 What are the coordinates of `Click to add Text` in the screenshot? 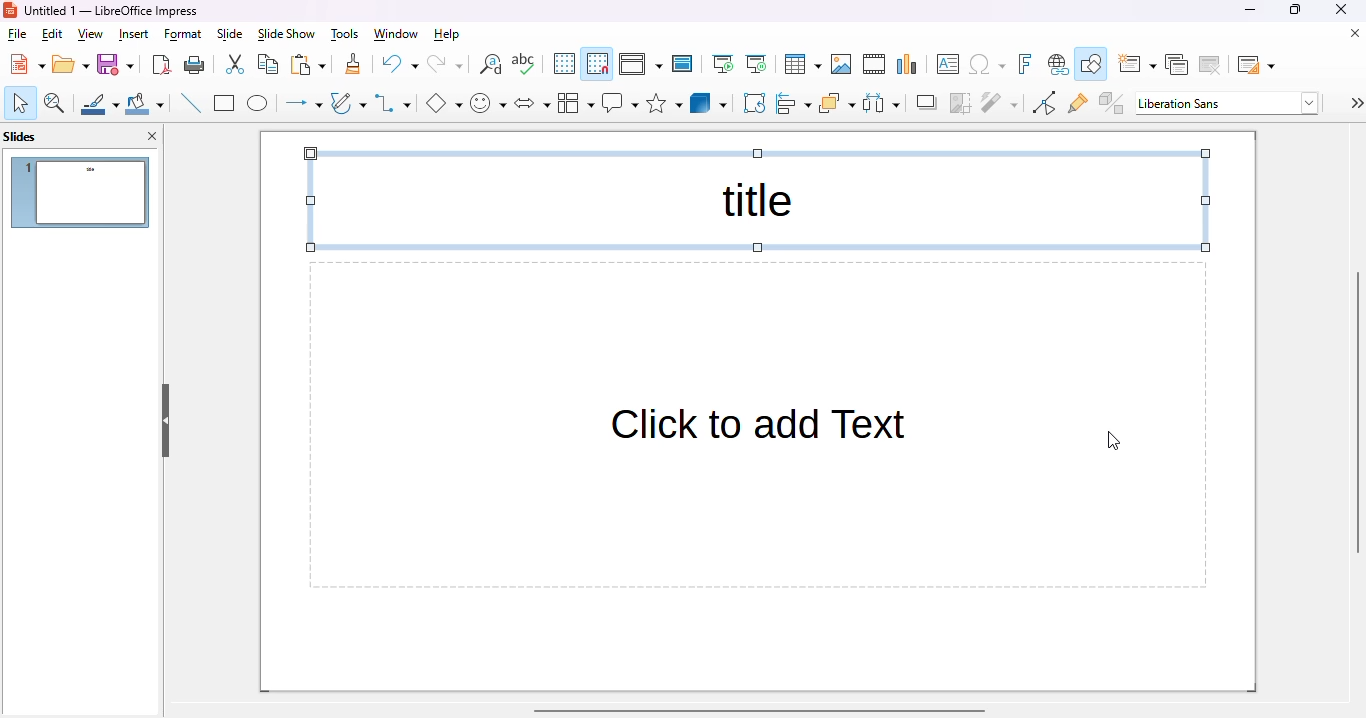 It's located at (757, 426).